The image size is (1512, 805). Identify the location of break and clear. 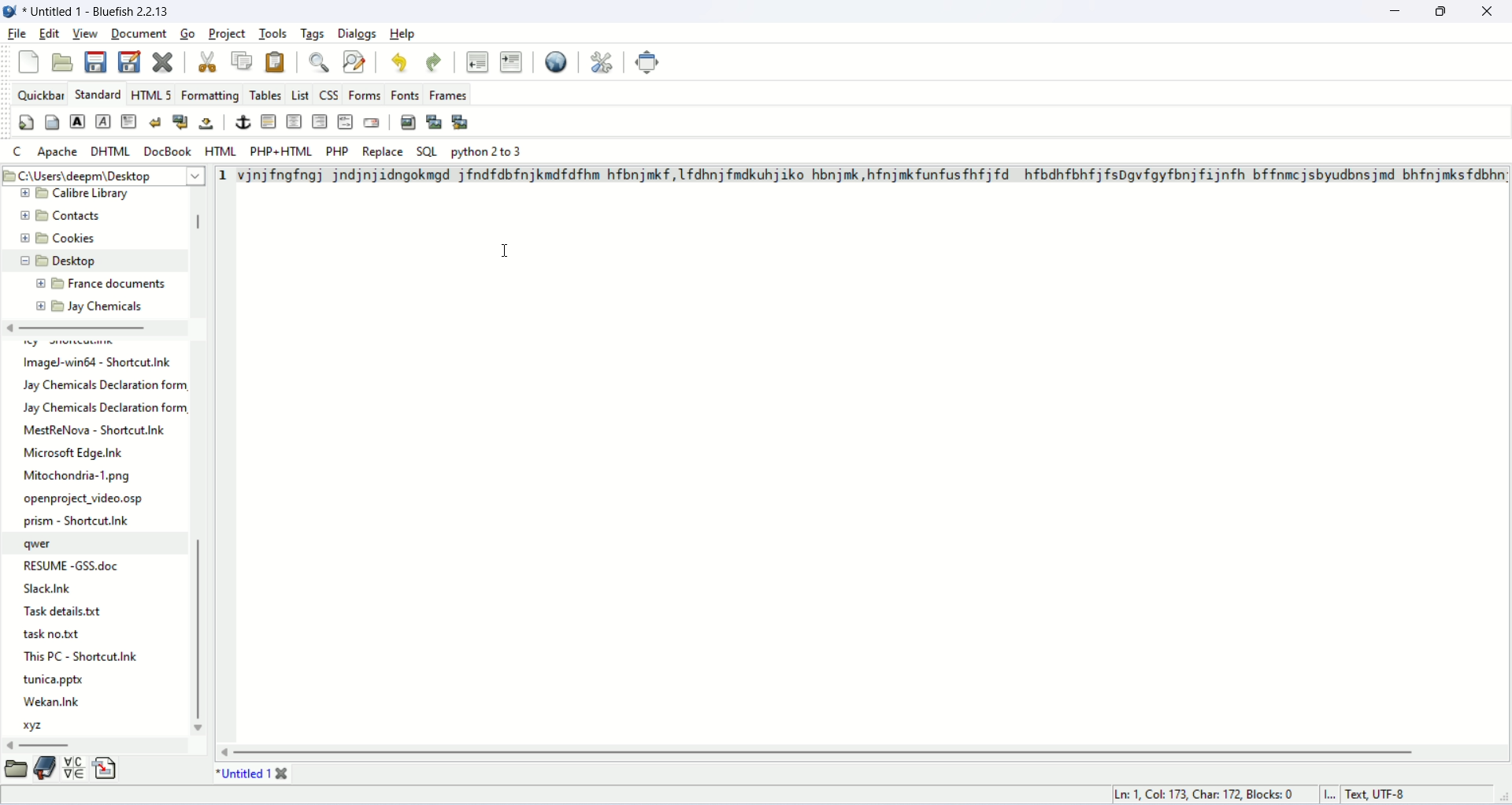
(180, 122).